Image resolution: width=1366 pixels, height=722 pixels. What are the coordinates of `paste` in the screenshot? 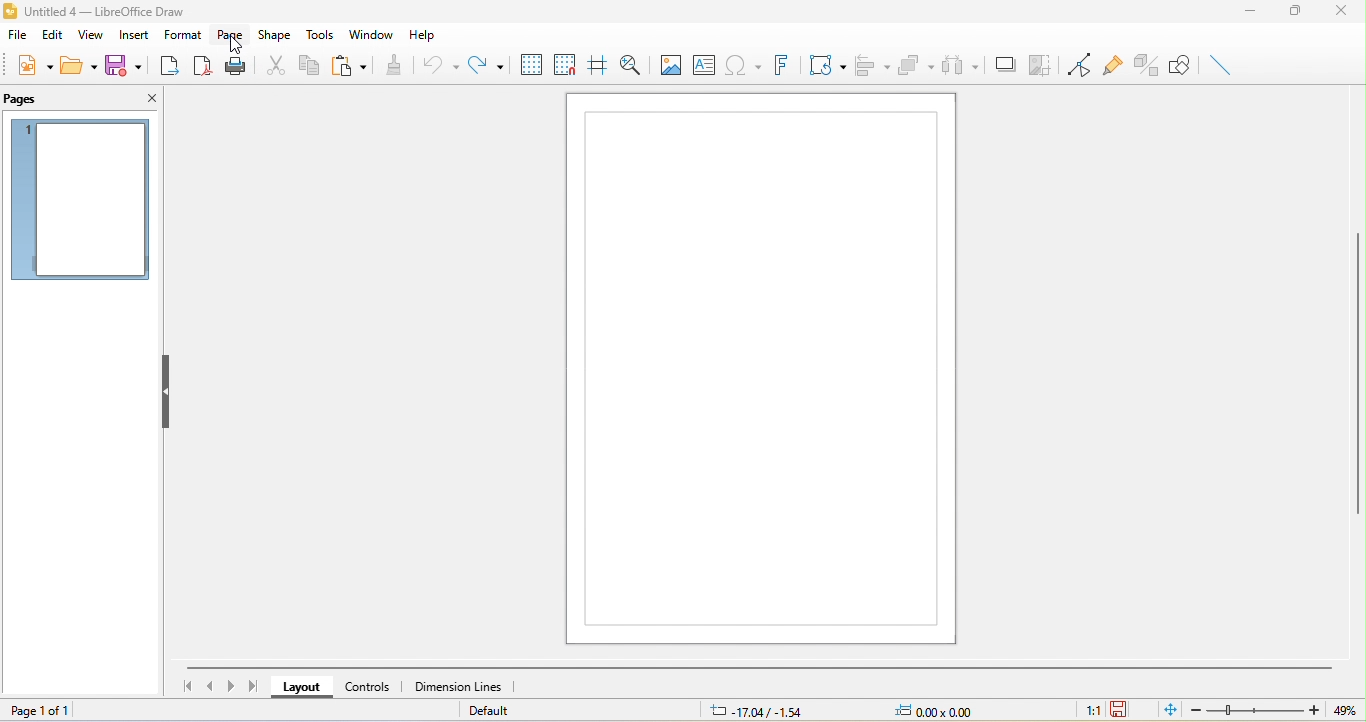 It's located at (347, 67).